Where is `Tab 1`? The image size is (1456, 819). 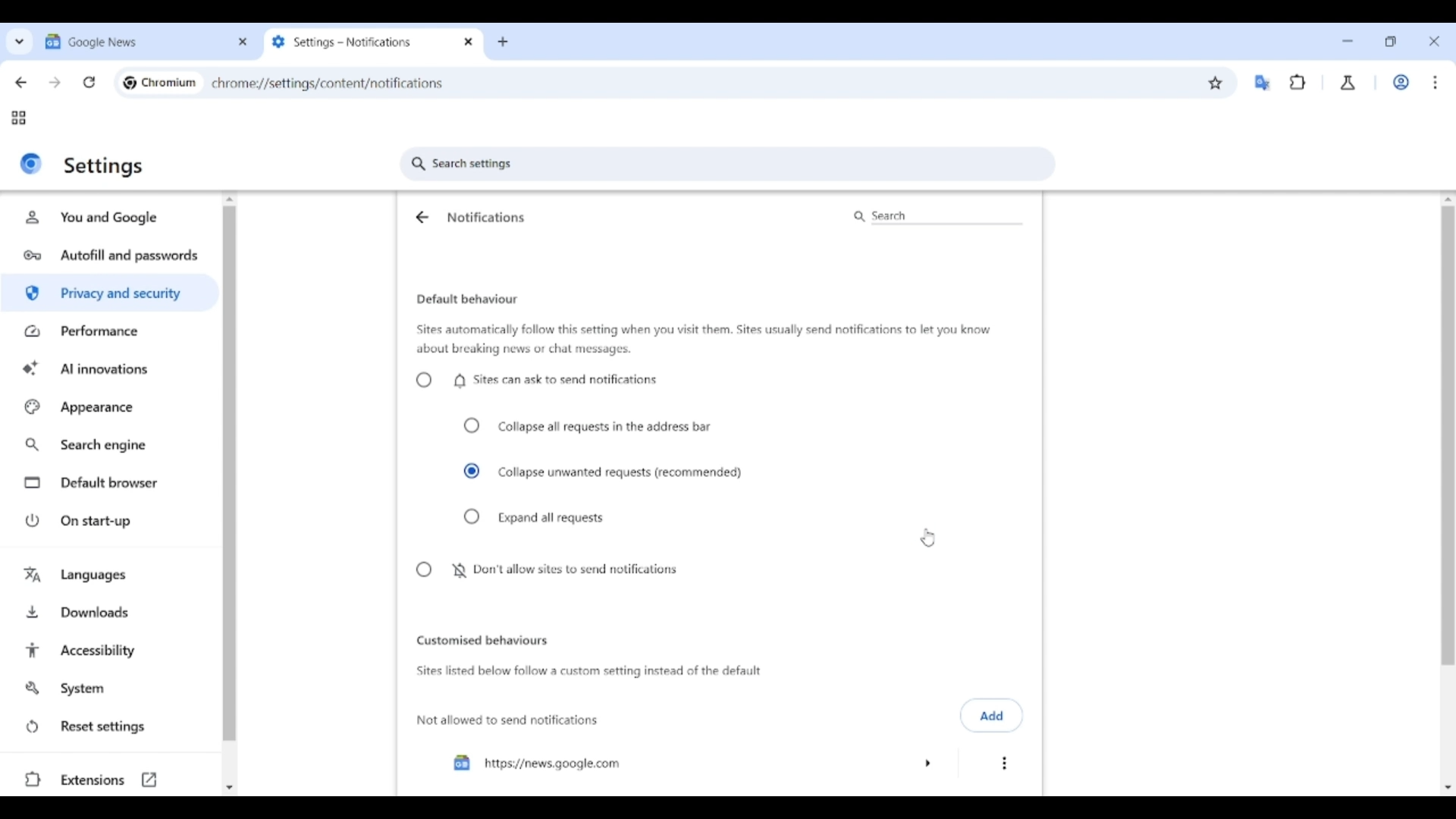 Tab 1 is located at coordinates (135, 41).